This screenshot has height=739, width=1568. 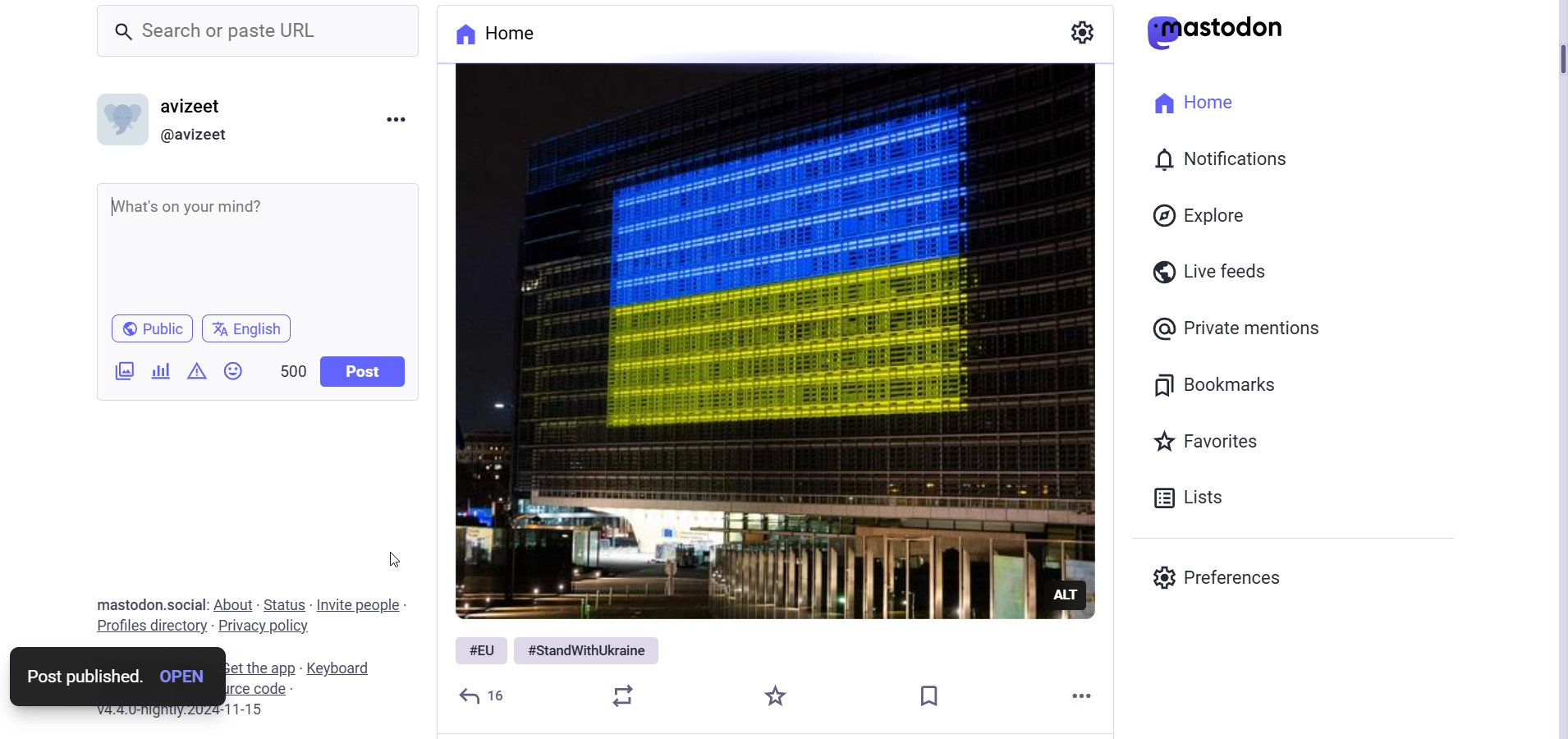 I want to click on Vertical Scroll Bar, so click(x=1548, y=365).